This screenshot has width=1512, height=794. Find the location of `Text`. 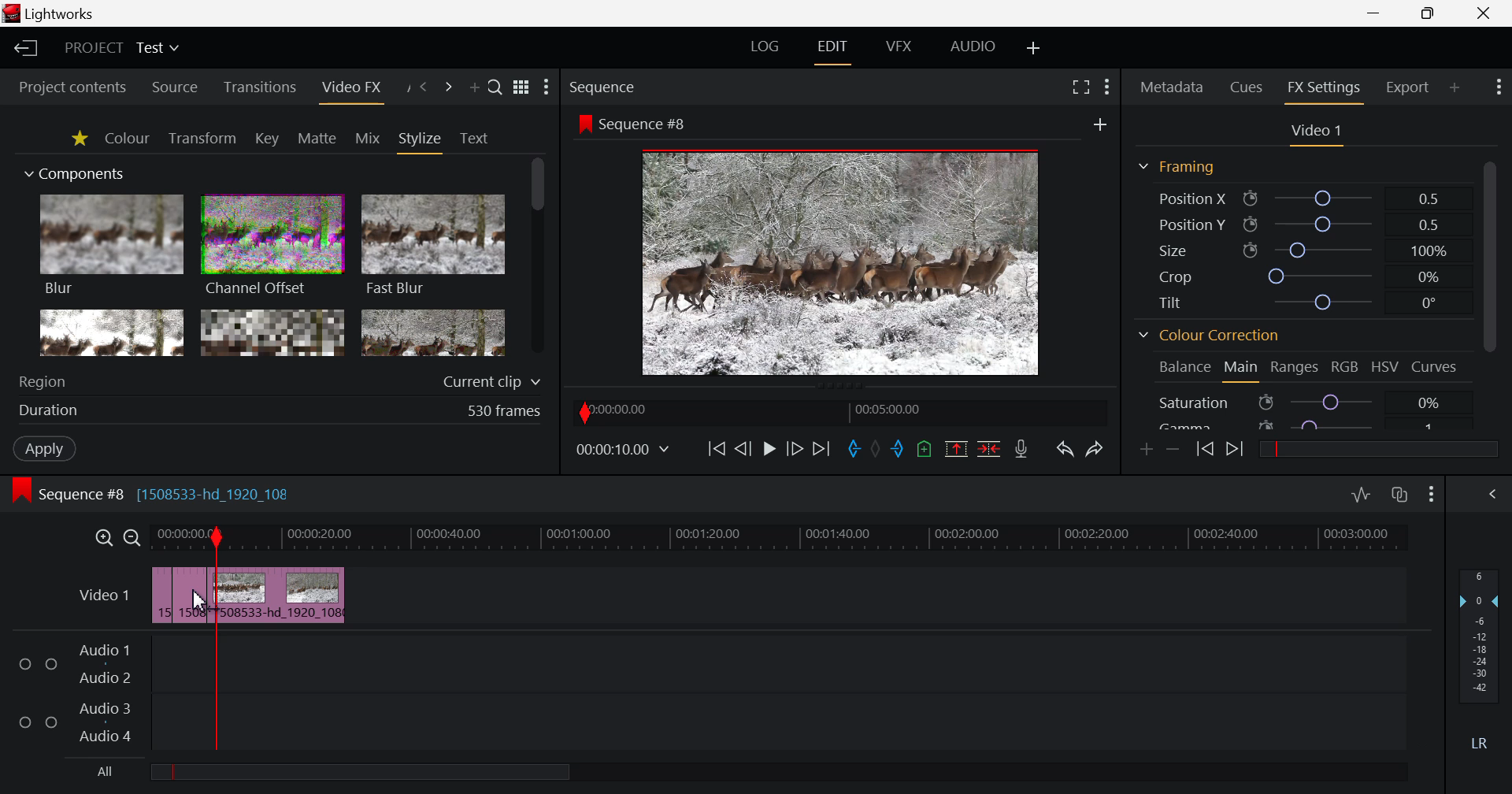

Text is located at coordinates (474, 139).